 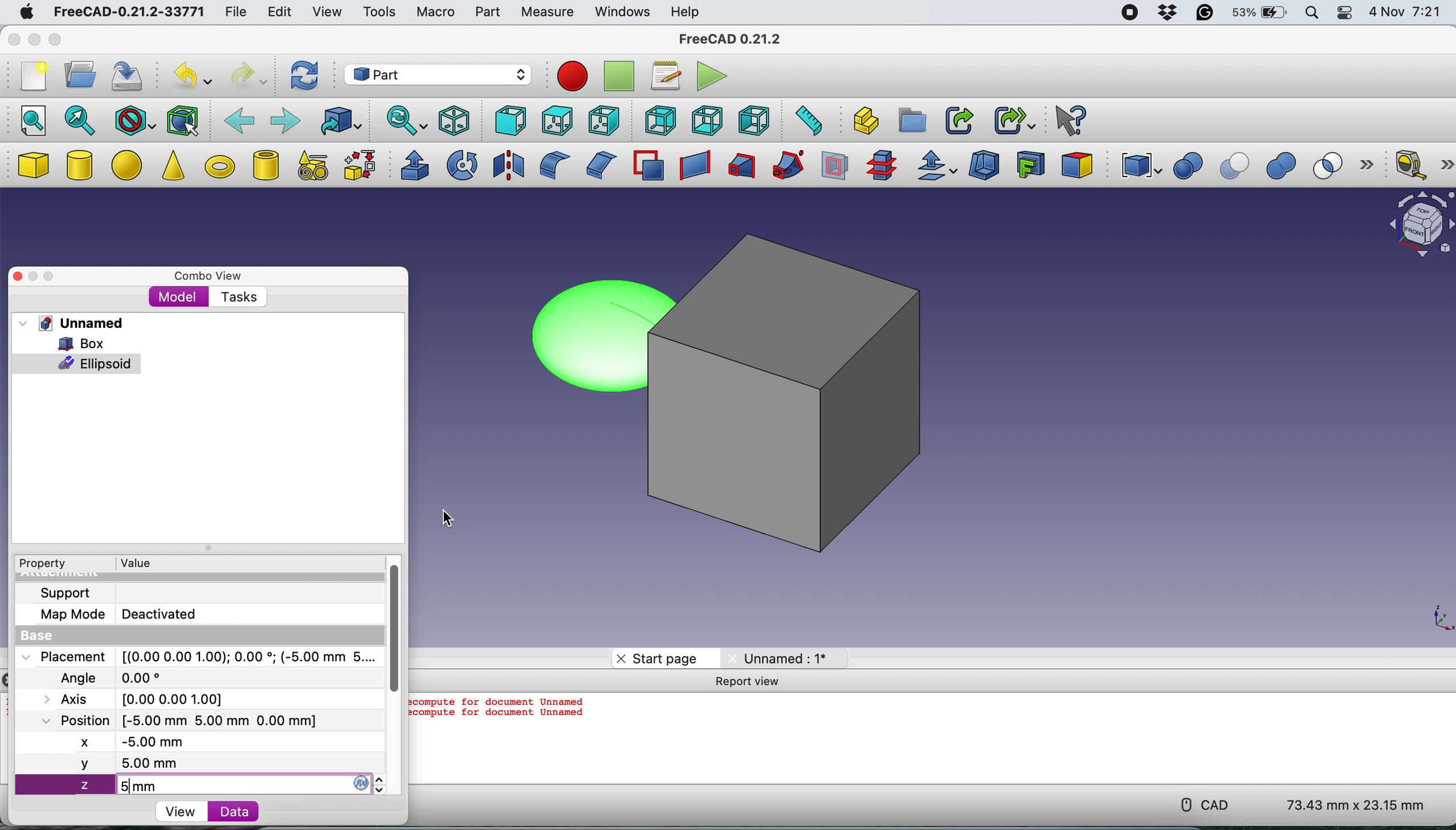 I want to click on Placement [(0.00 0.00 1.00); 0.00 *, (-5.00 mm 0.., so click(x=197, y=656).